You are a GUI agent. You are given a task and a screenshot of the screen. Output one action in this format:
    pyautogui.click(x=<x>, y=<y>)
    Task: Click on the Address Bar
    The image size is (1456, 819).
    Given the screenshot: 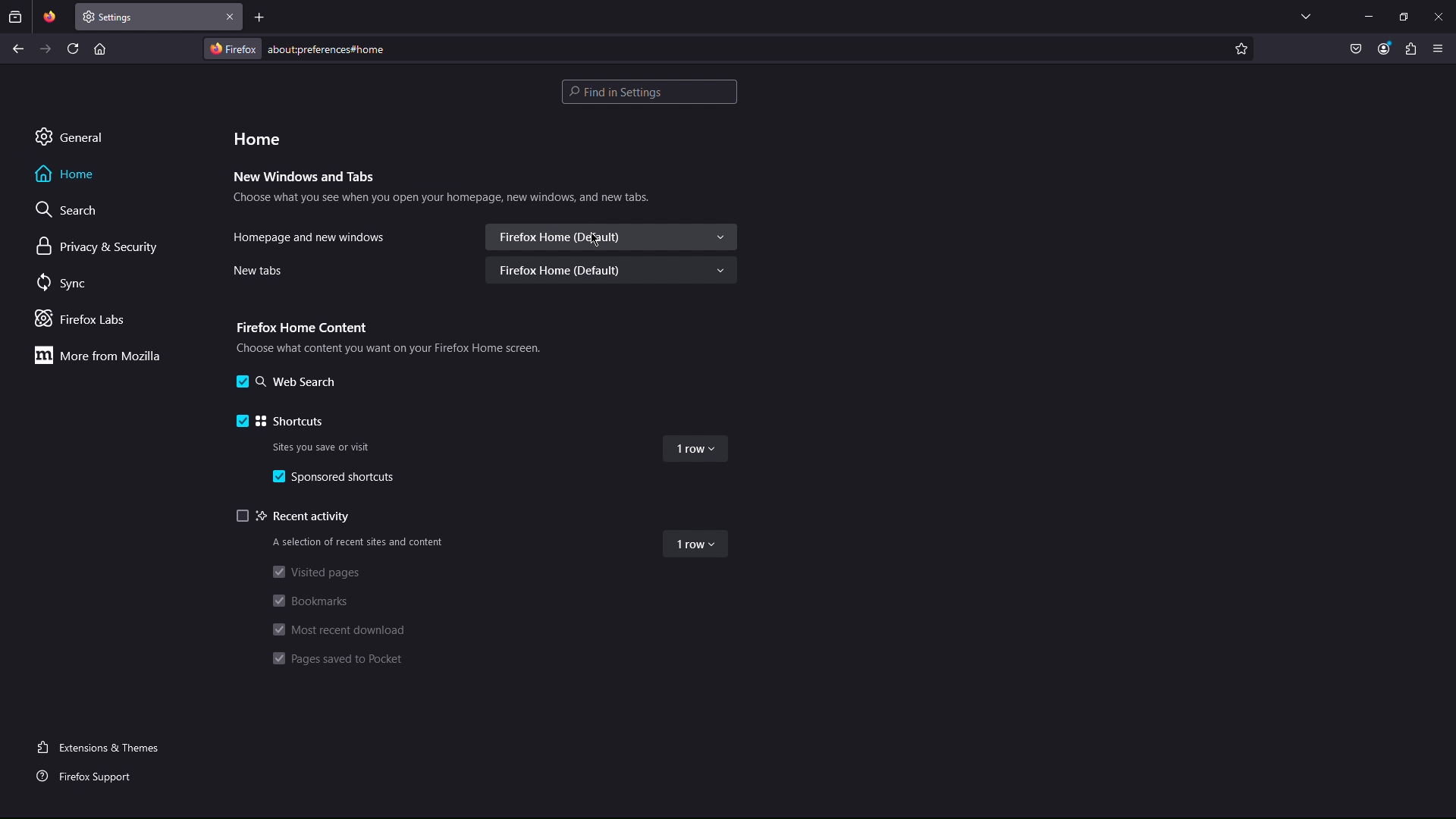 What is the action you would take?
    pyautogui.click(x=716, y=48)
    